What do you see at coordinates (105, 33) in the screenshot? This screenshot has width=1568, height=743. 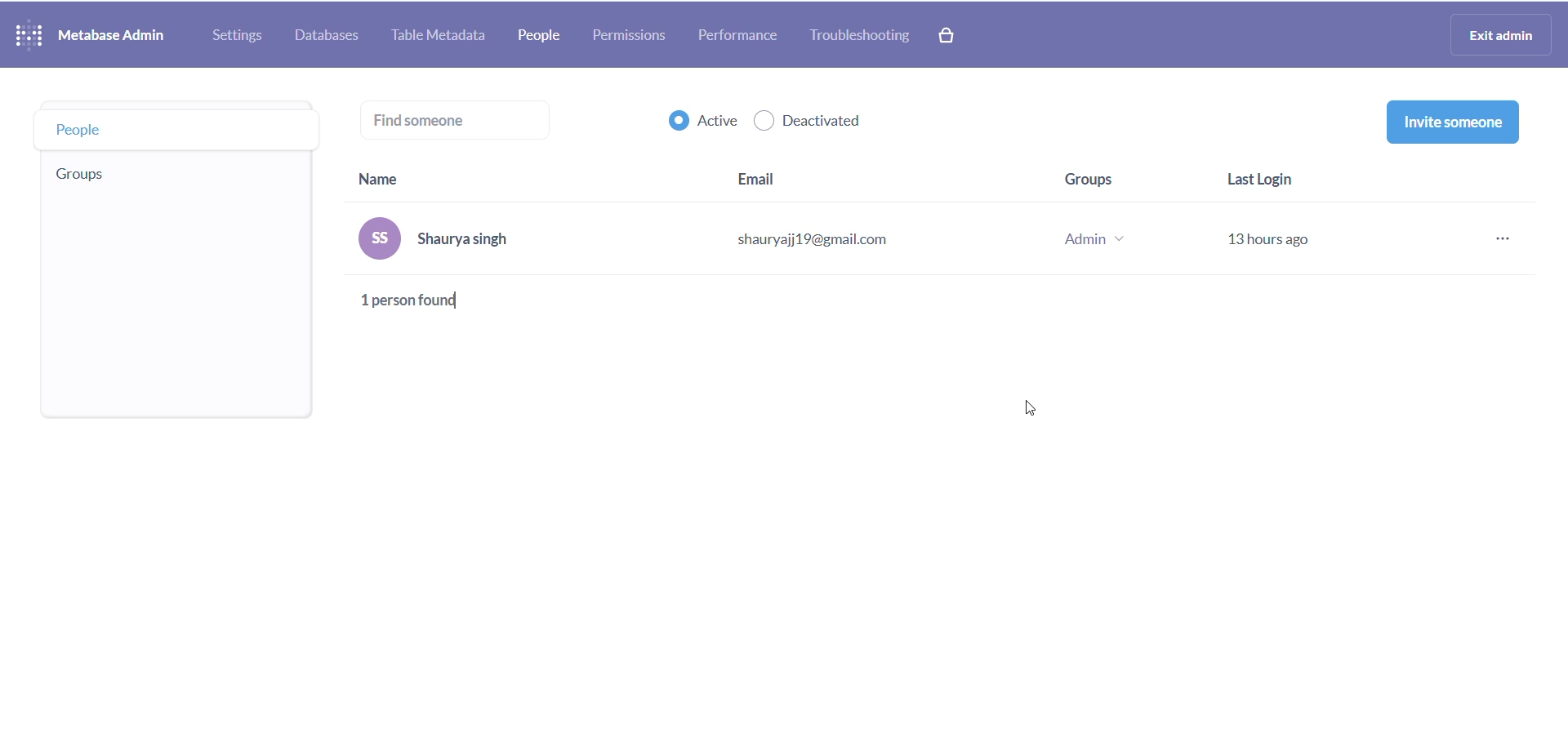 I see `NAME AND LOGO` at bounding box center [105, 33].